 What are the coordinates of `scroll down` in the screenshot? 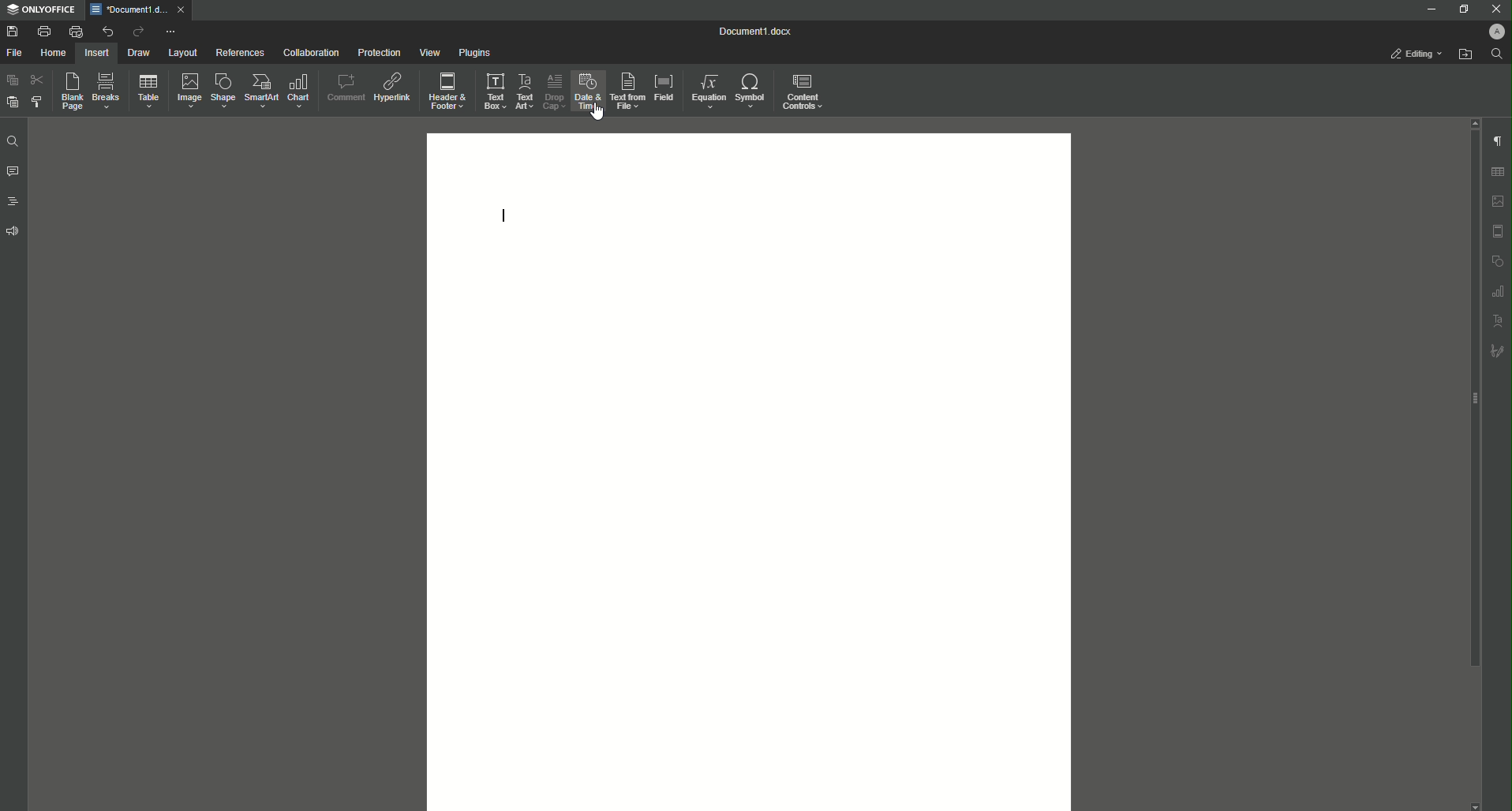 It's located at (1475, 806).